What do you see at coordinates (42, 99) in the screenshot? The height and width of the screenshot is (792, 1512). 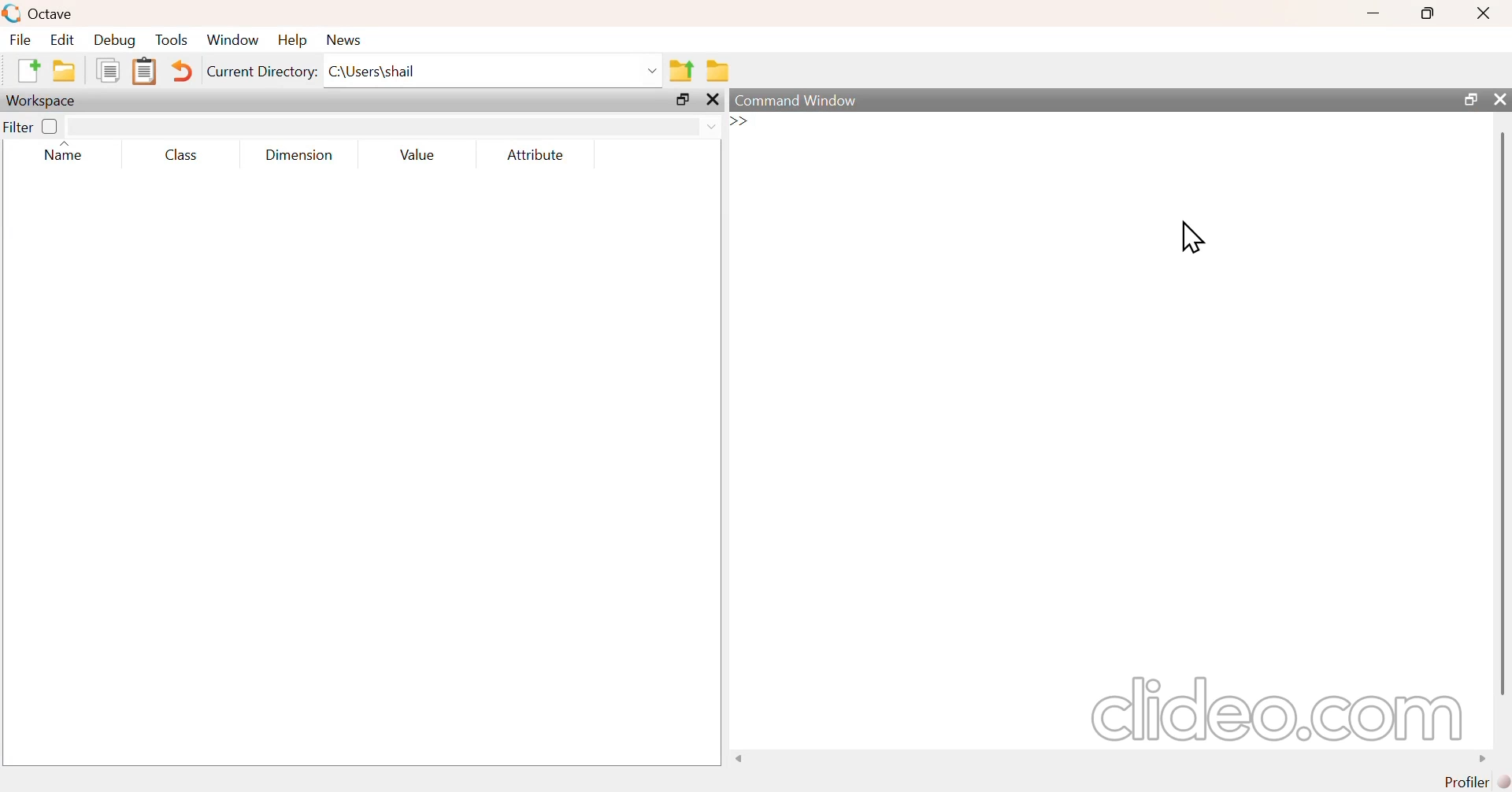 I see `workspace` at bounding box center [42, 99].